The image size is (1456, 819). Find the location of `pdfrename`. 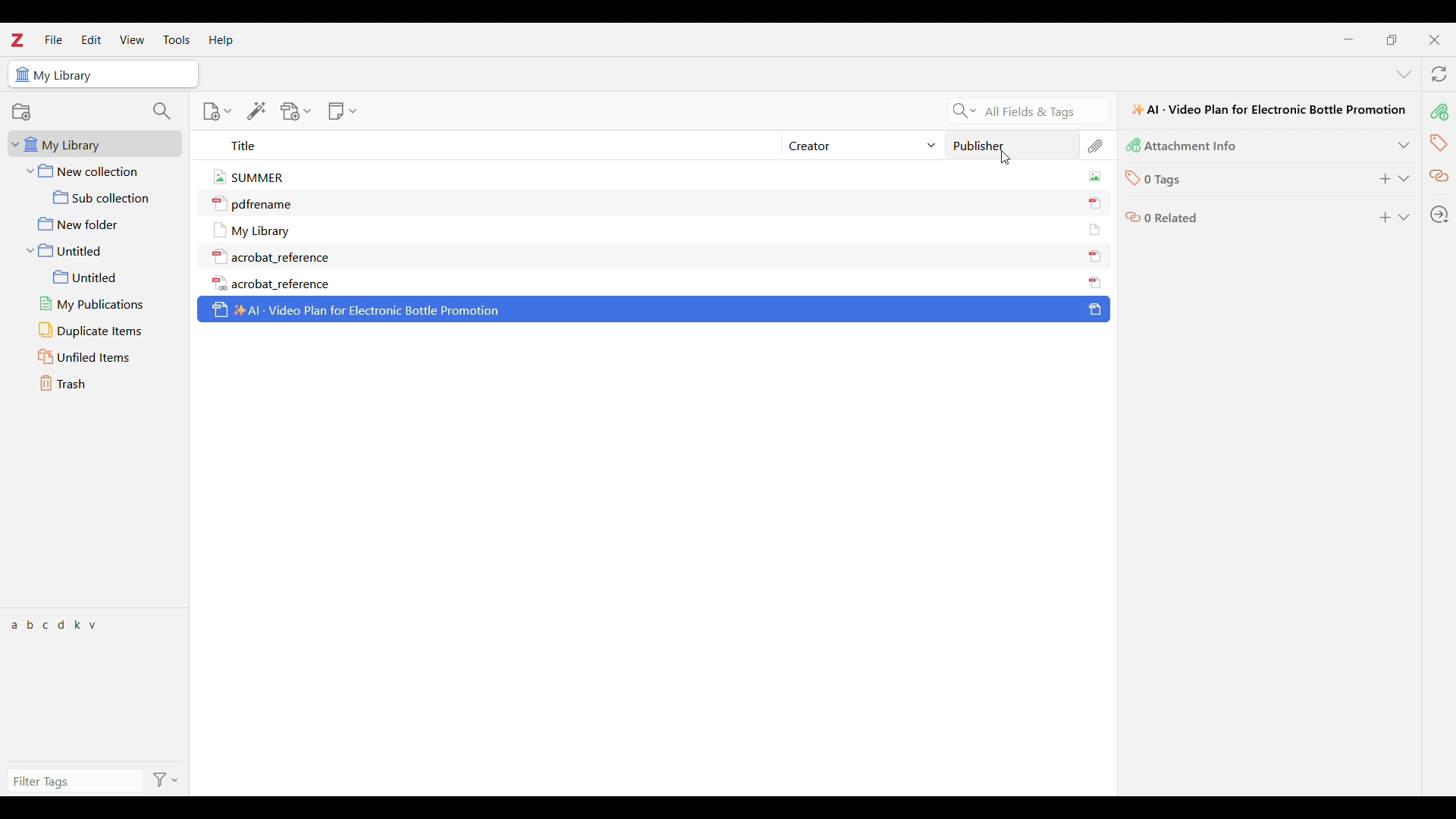

pdfrename is located at coordinates (254, 203).